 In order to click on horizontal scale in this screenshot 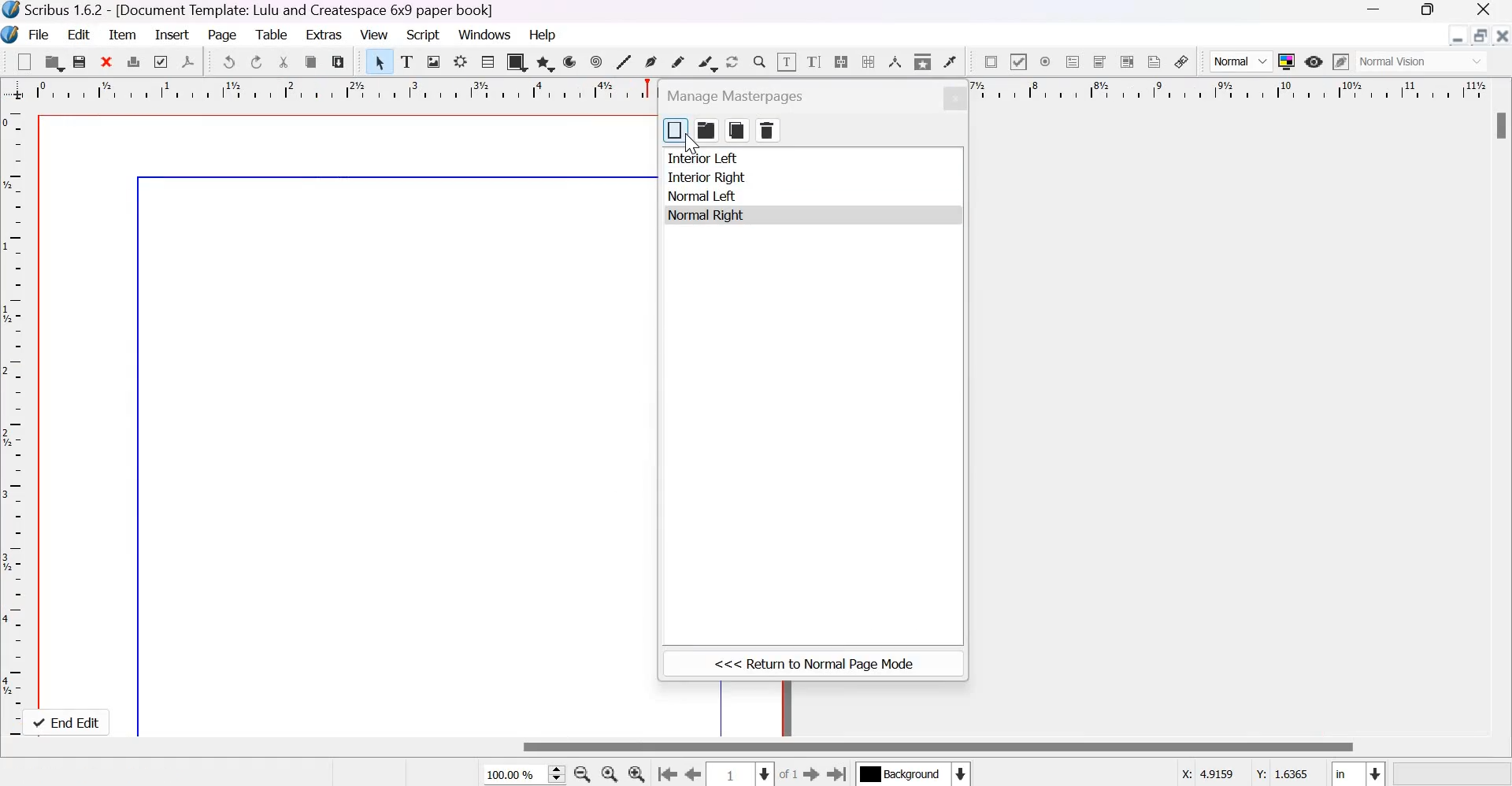, I will do `click(1230, 91)`.